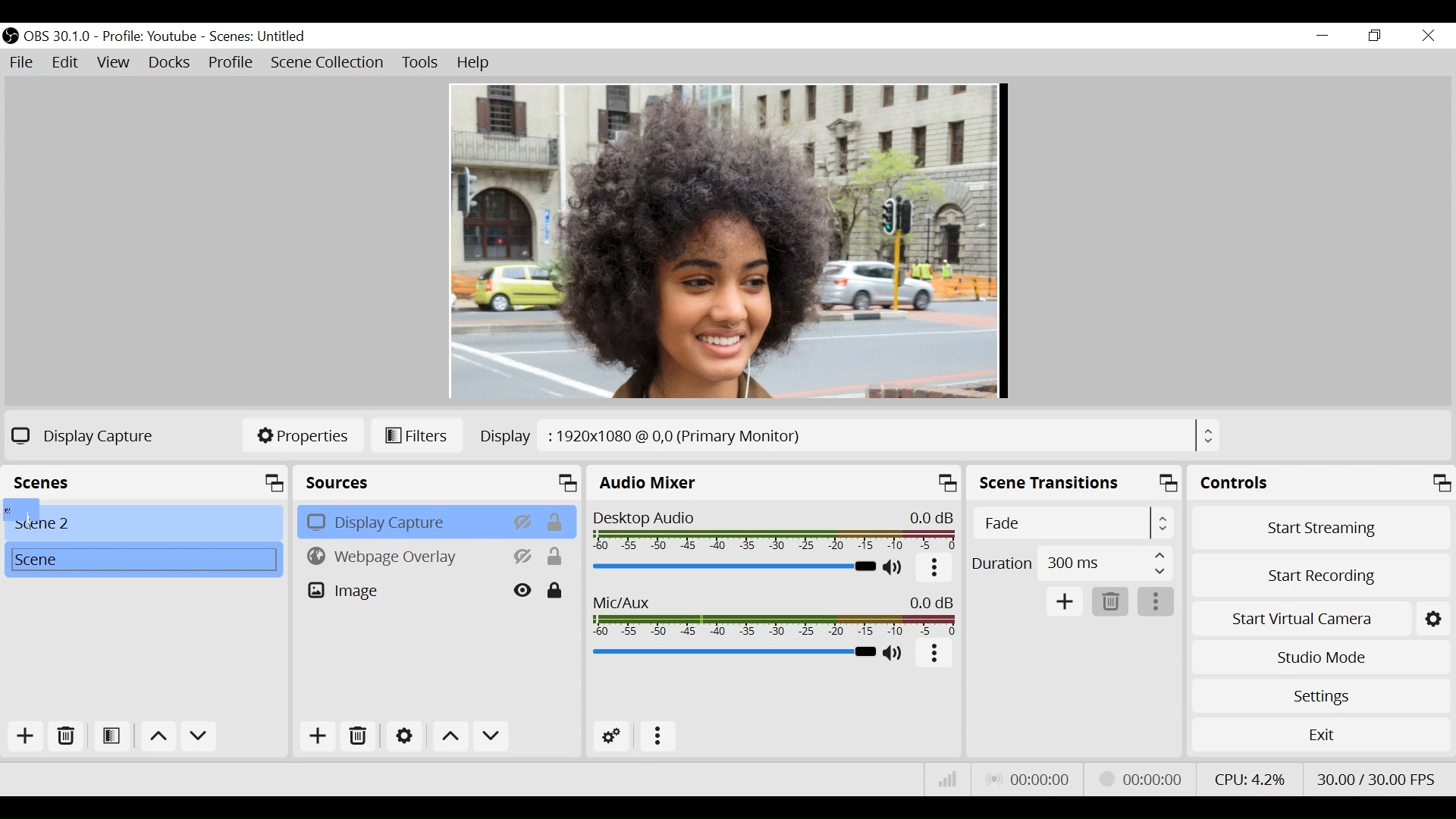 The image size is (1456, 819). What do you see at coordinates (1317, 736) in the screenshot?
I see `Exit` at bounding box center [1317, 736].